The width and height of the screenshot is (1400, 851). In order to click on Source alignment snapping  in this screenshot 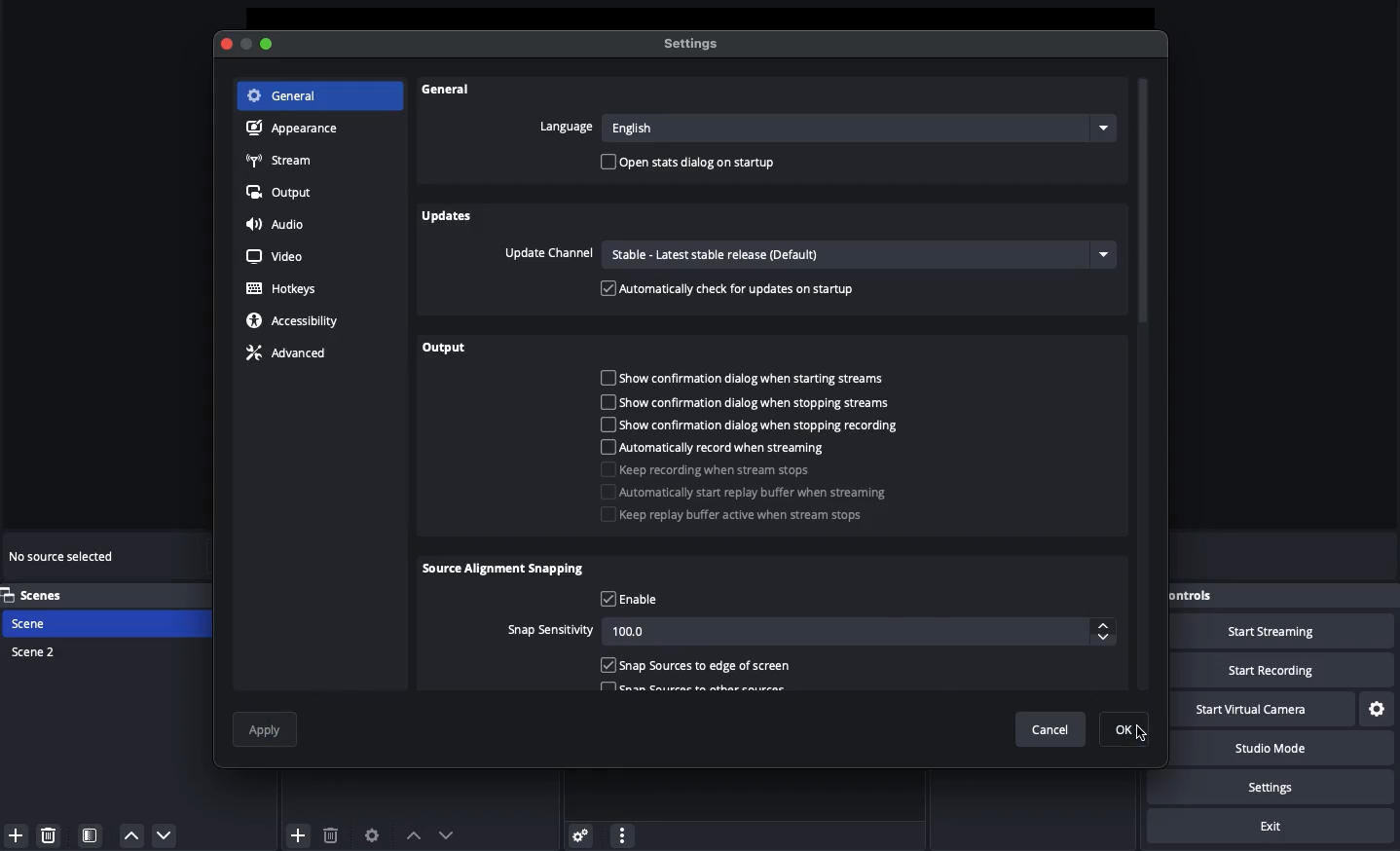, I will do `click(505, 571)`.